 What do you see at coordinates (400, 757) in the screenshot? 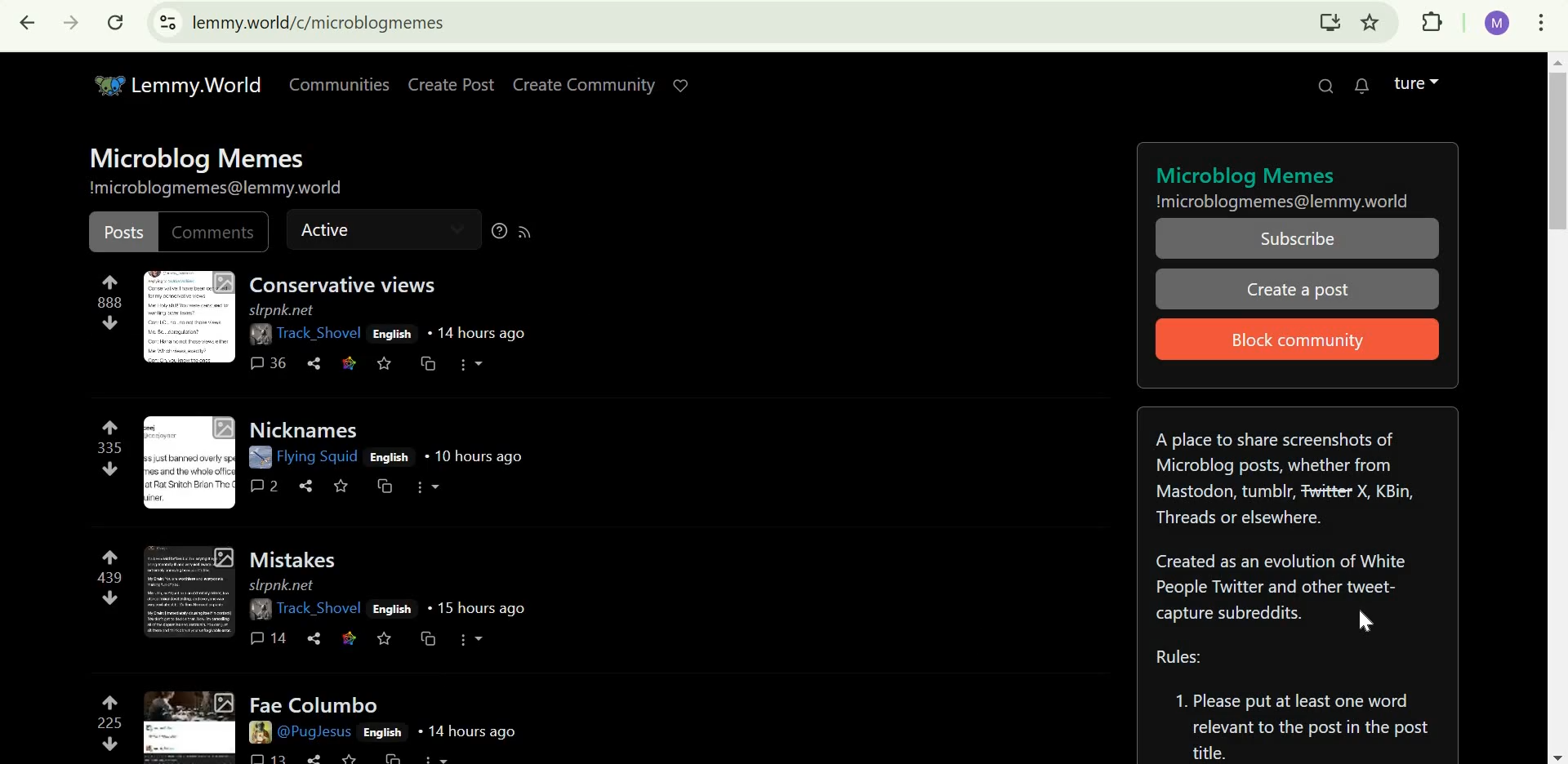
I see `copy` at bounding box center [400, 757].